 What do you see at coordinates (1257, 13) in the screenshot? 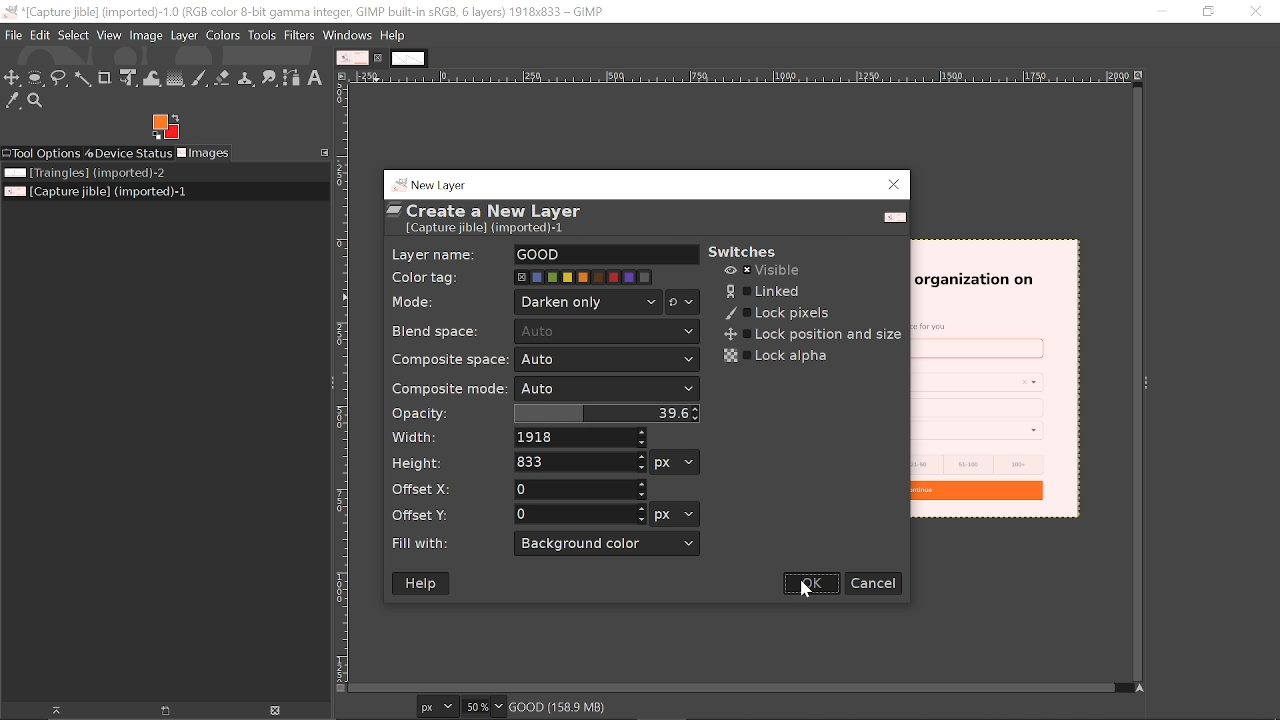
I see `Close` at bounding box center [1257, 13].